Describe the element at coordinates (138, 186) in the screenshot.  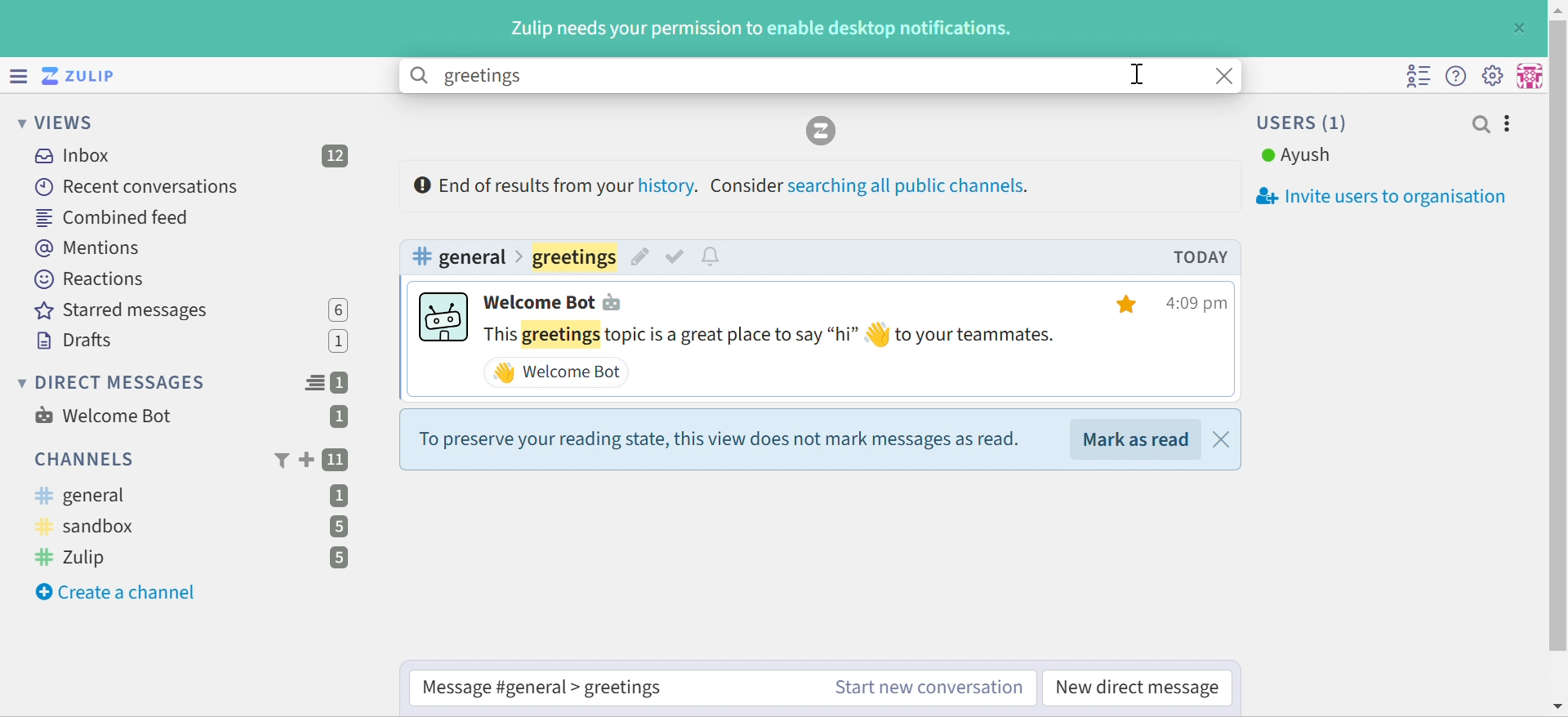
I see `Recent conversations` at that location.